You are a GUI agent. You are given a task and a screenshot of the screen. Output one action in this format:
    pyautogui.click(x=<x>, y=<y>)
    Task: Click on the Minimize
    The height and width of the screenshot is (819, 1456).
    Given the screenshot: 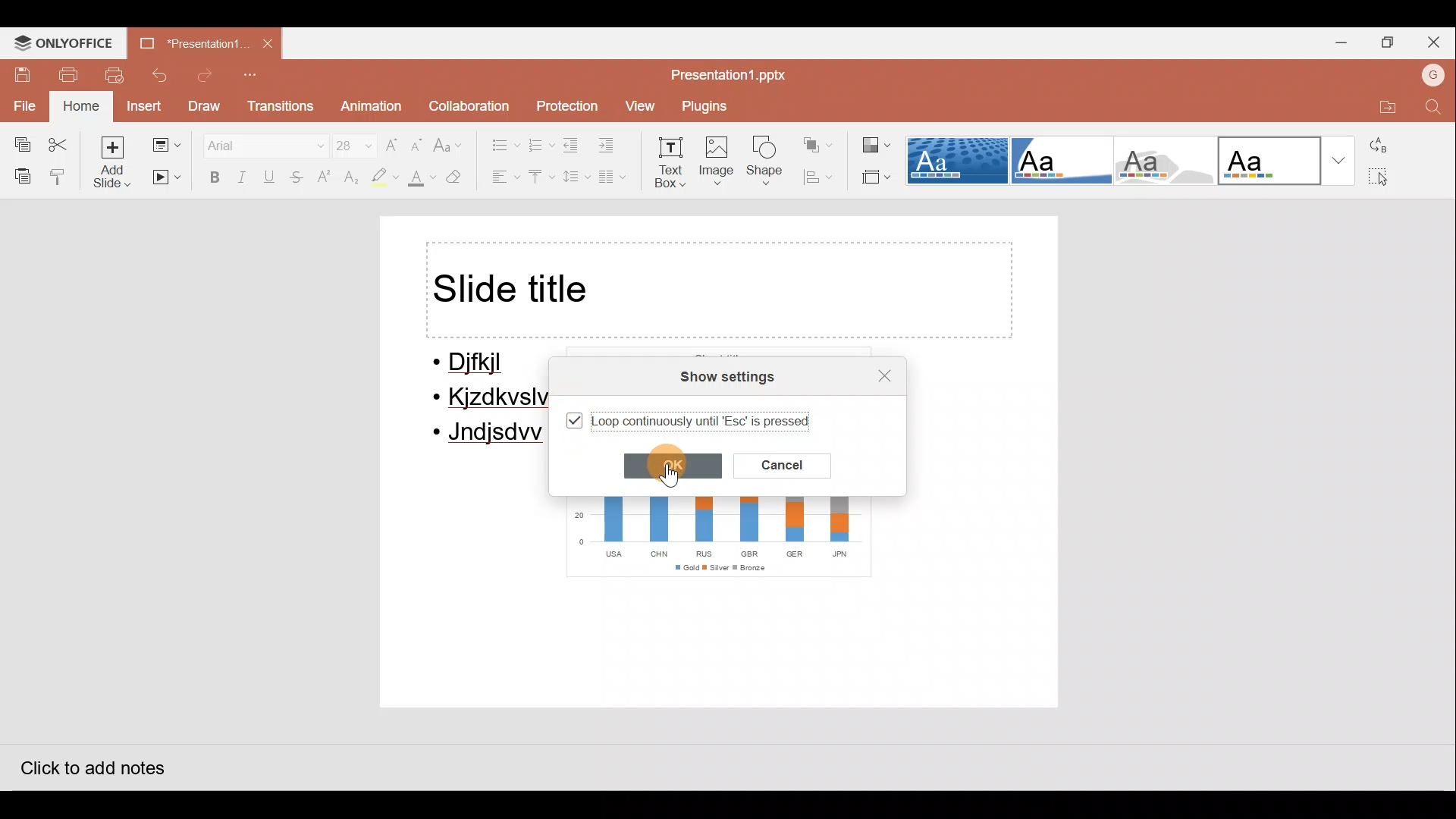 What is the action you would take?
    pyautogui.click(x=1338, y=41)
    